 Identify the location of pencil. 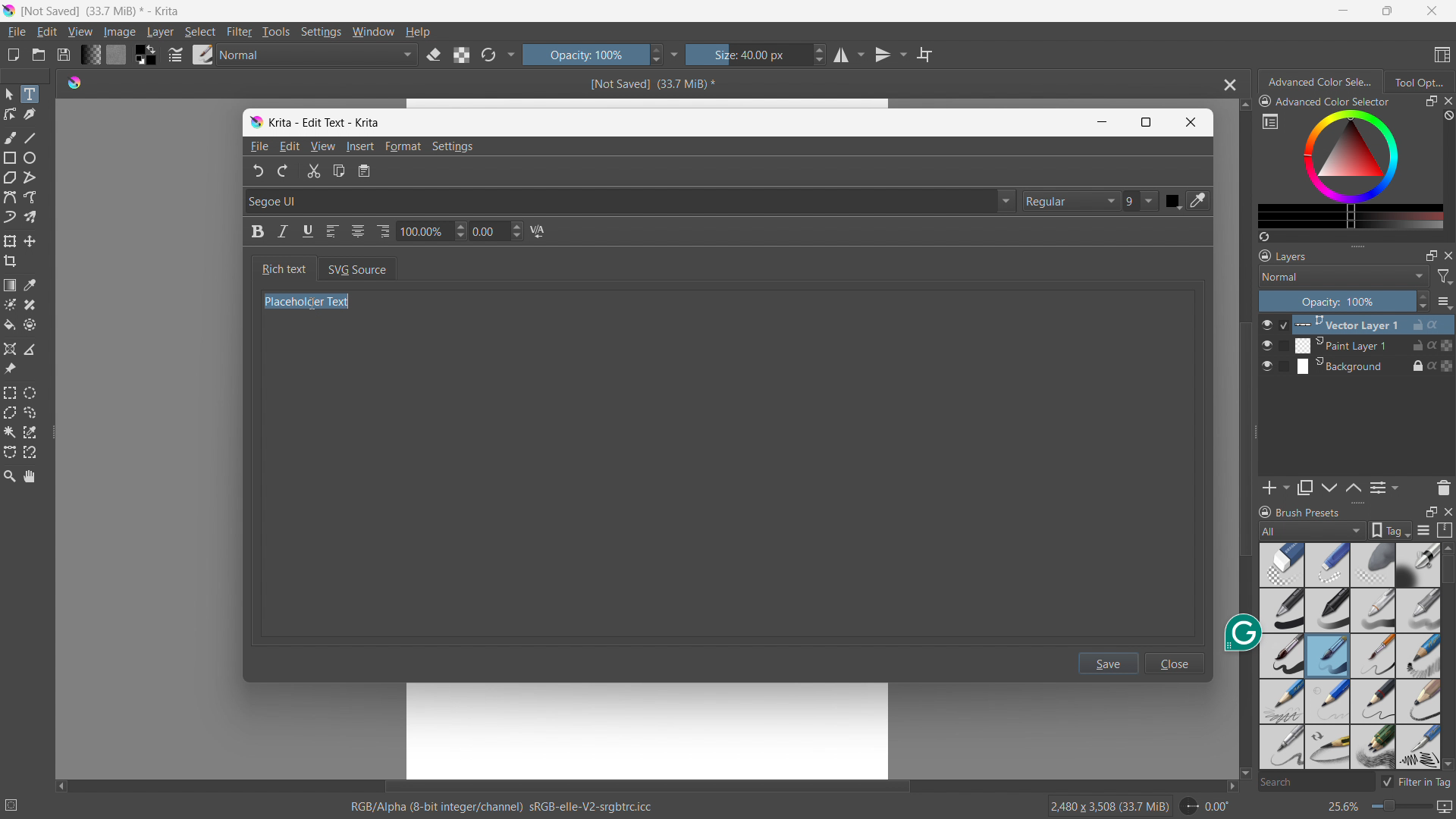
(1373, 610).